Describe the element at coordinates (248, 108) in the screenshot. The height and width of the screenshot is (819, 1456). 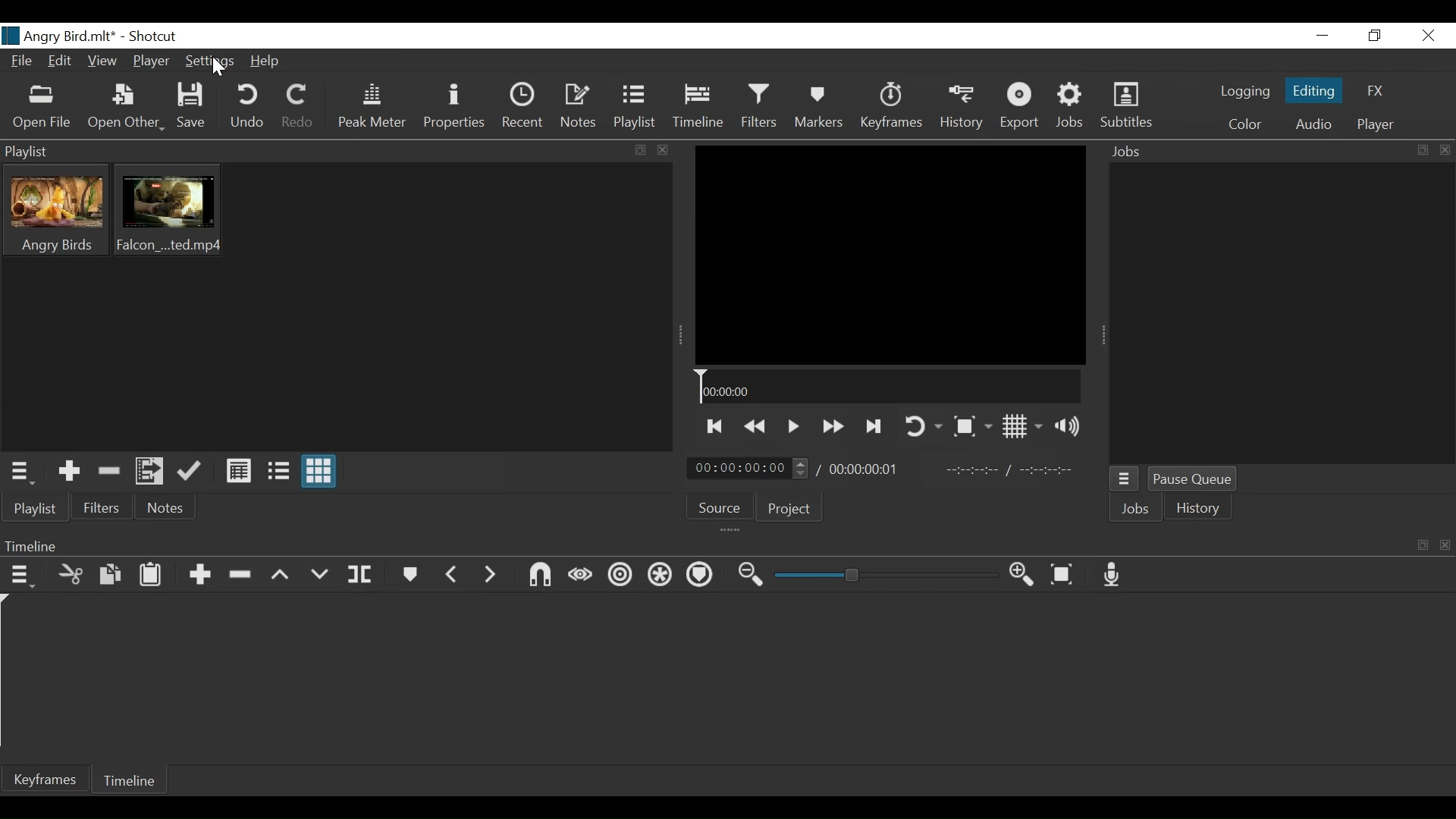
I see `Undo` at that location.